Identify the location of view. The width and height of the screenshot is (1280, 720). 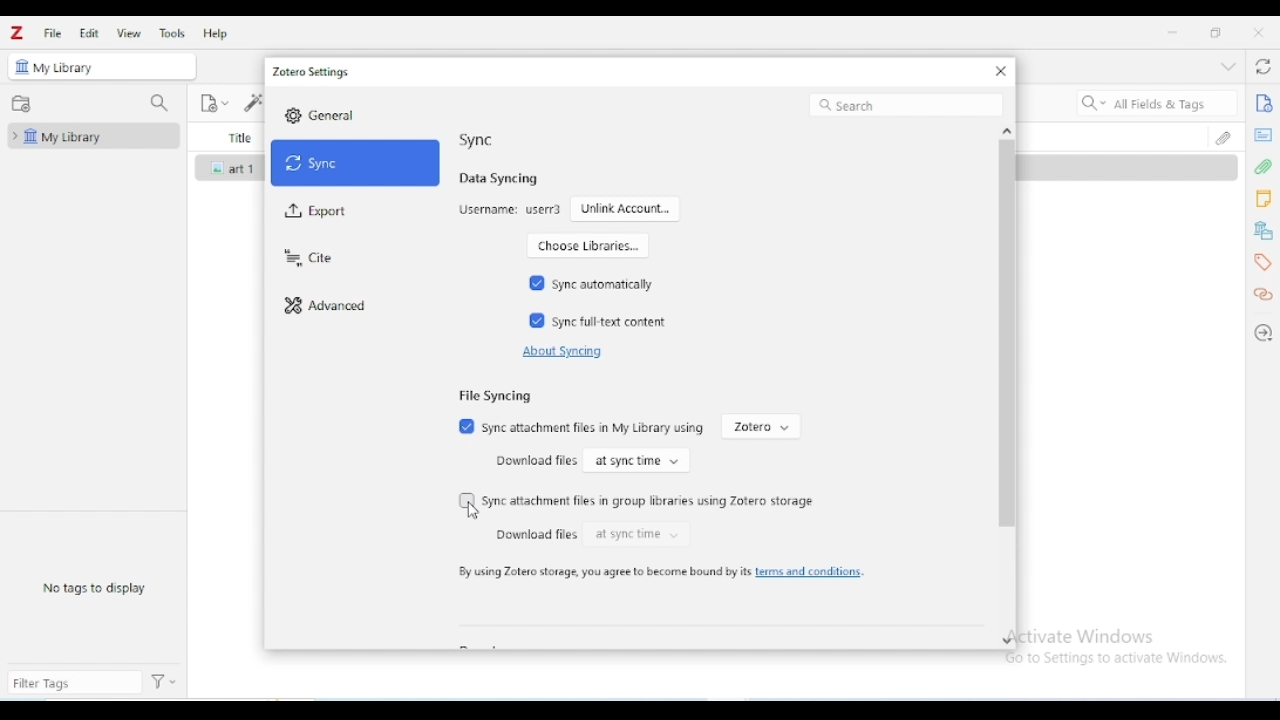
(130, 33).